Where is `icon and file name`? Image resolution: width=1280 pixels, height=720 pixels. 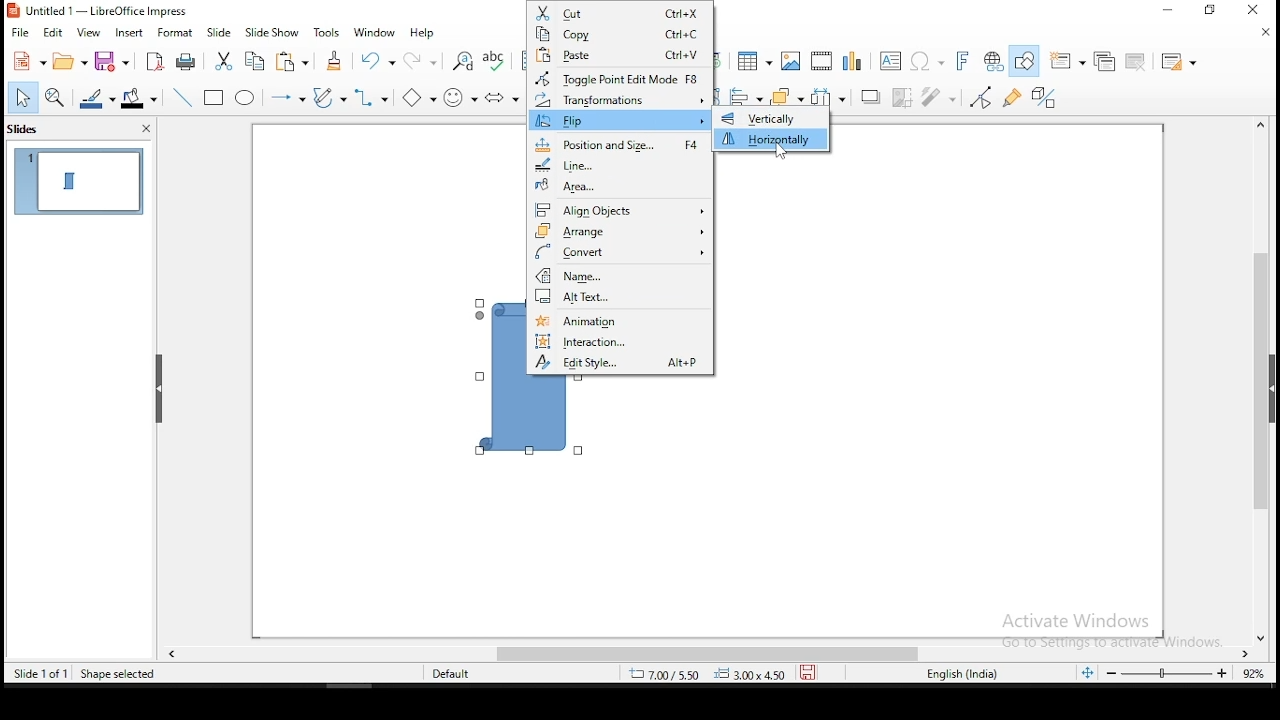 icon and file name is located at coordinates (111, 11).